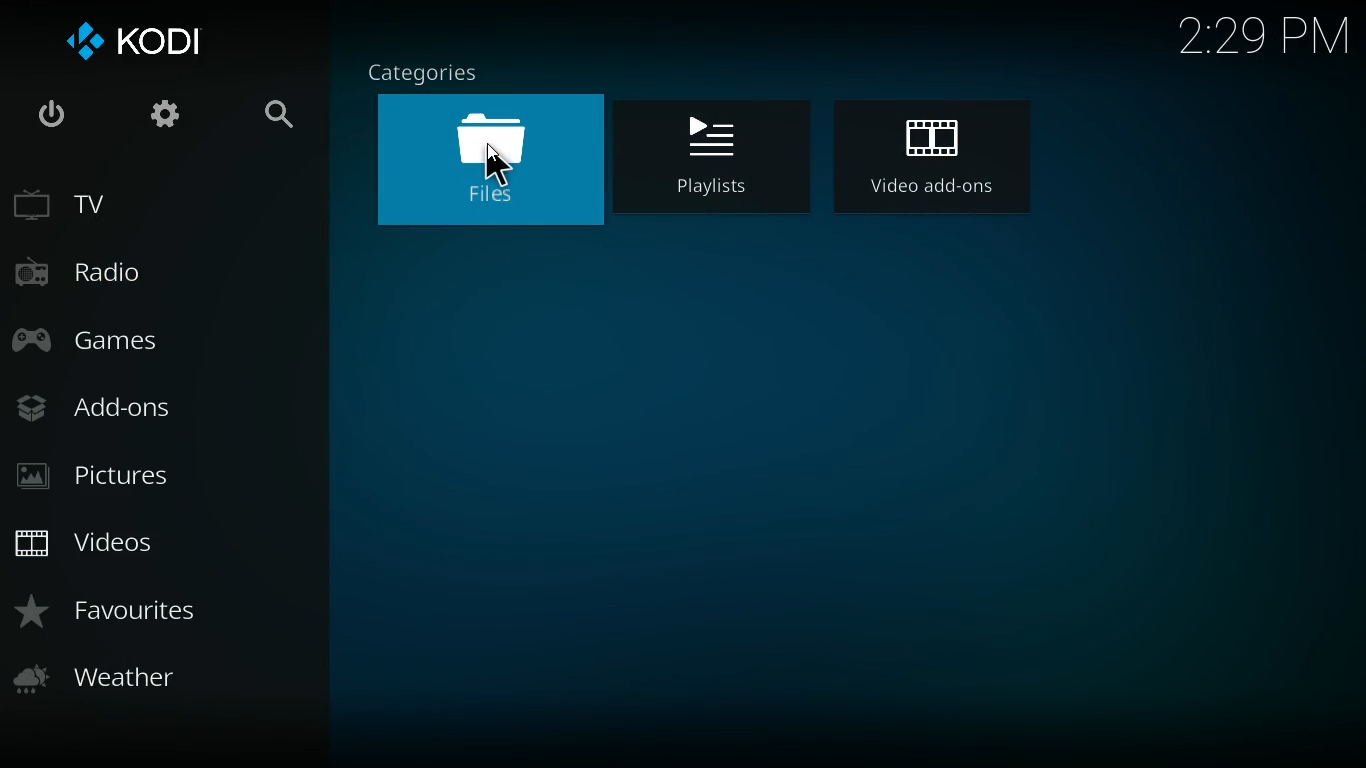 The image size is (1366, 768). Describe the element at coordinates (165, 543) in the screenshot. I see `videos` at that location.